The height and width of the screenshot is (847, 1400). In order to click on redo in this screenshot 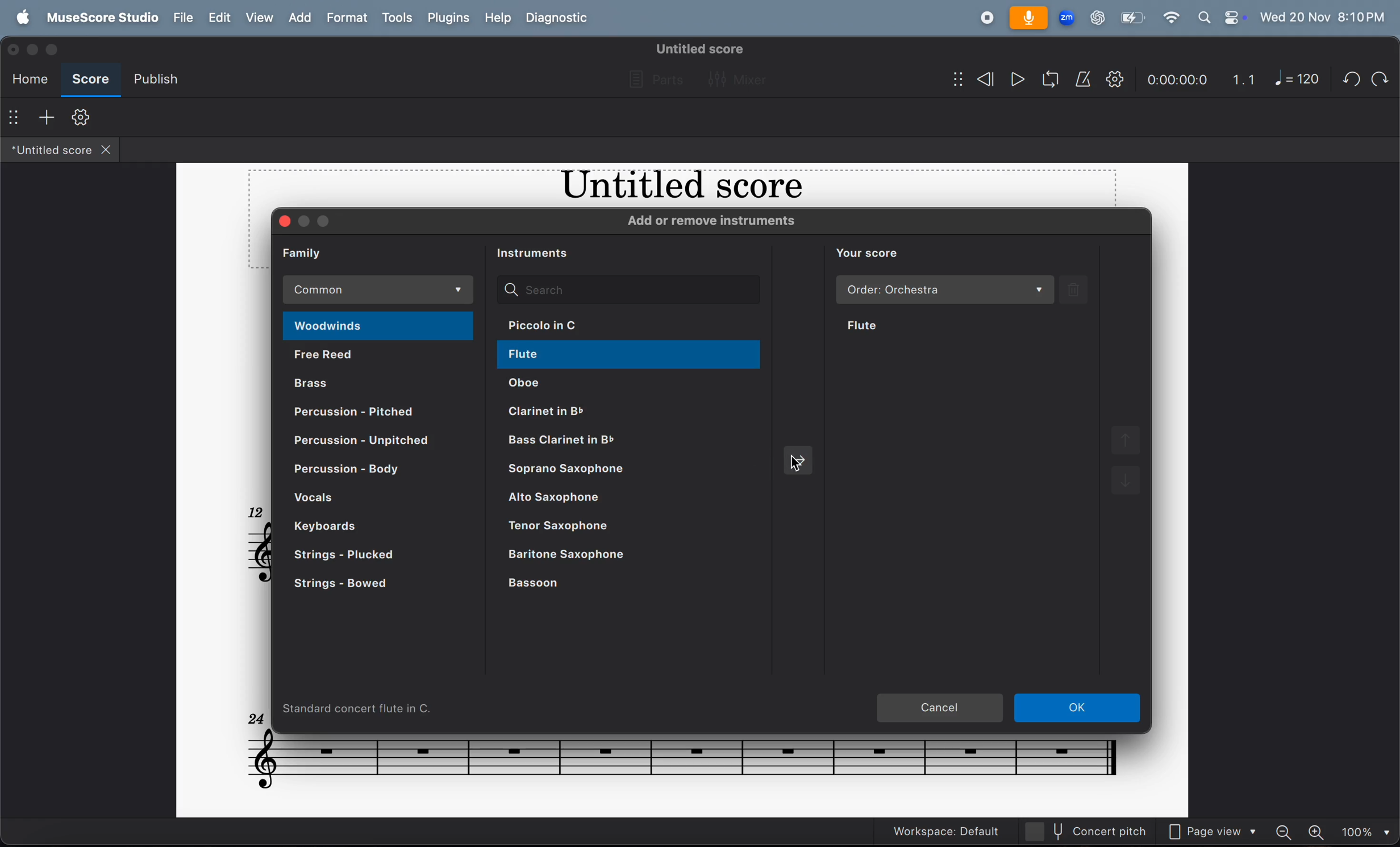, I will do `click(1384, 81)`.